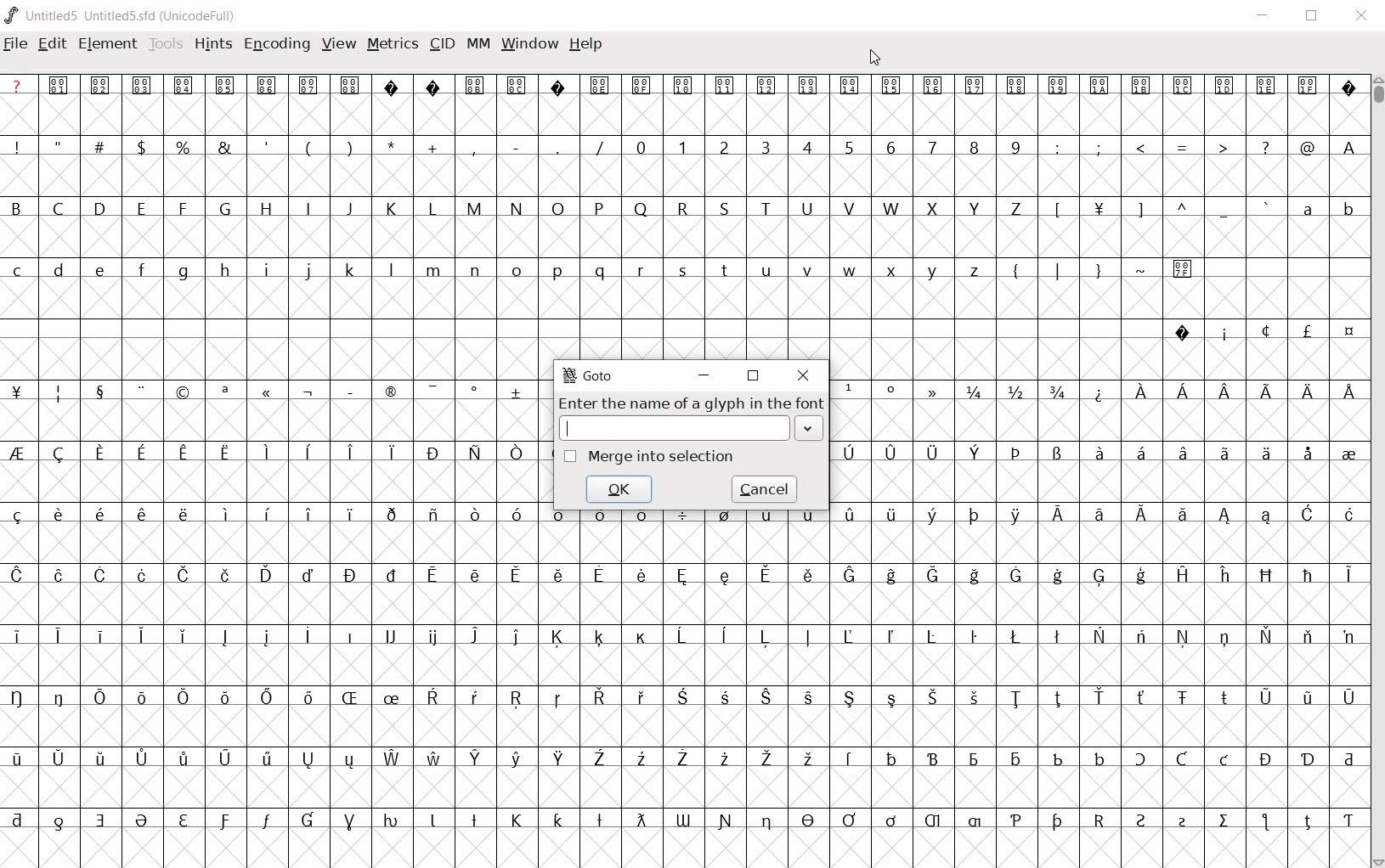  What do you see at coordinates (642, 637) in the screenshot?
I see `Symbol` at bounding box center [642, 637].